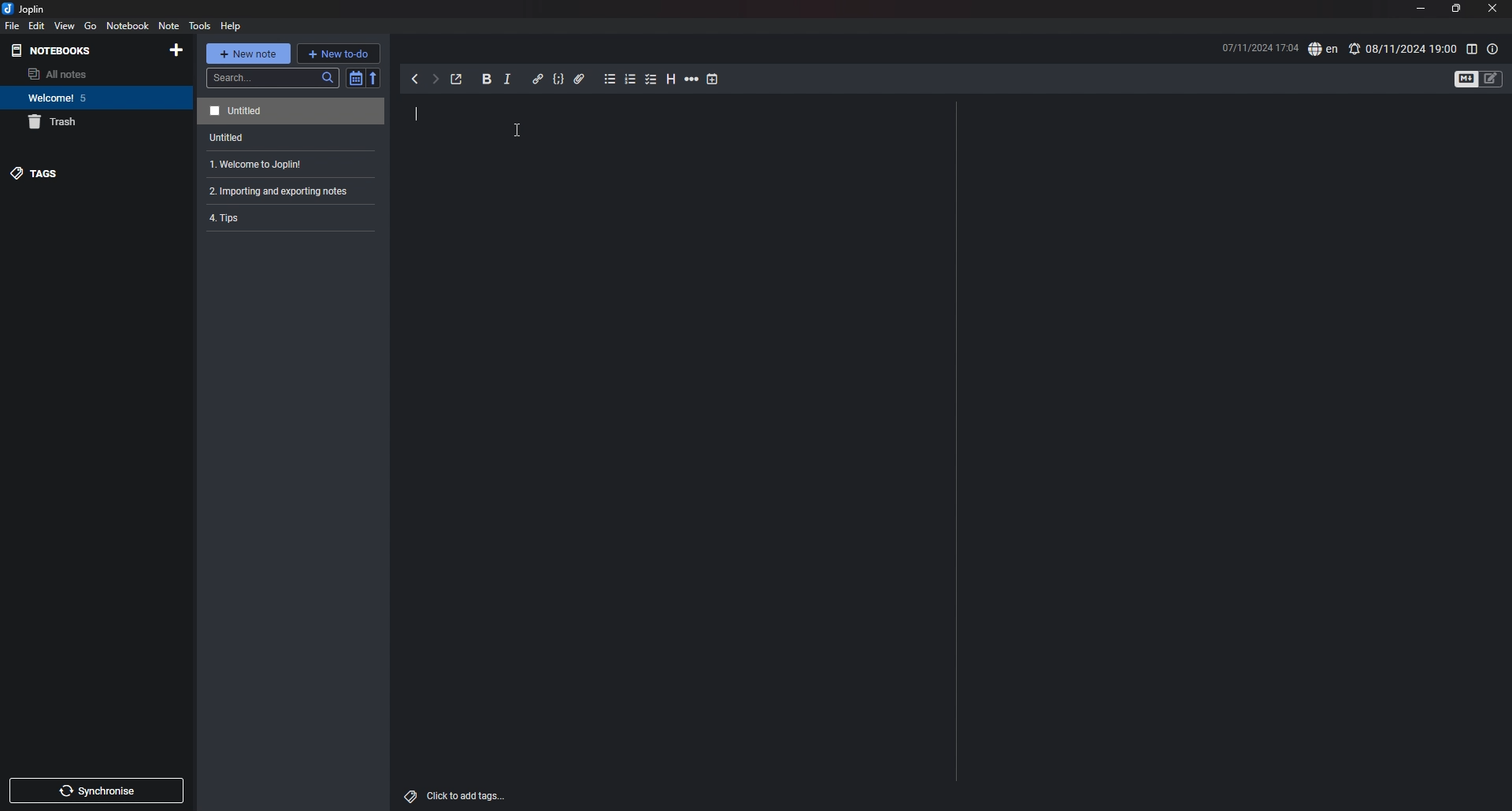 The image size is (1512, 811). What do you see at coordinates (1492, 79) in the screenshot?
I see `toggle editors` at bounding box center [1492, 79].